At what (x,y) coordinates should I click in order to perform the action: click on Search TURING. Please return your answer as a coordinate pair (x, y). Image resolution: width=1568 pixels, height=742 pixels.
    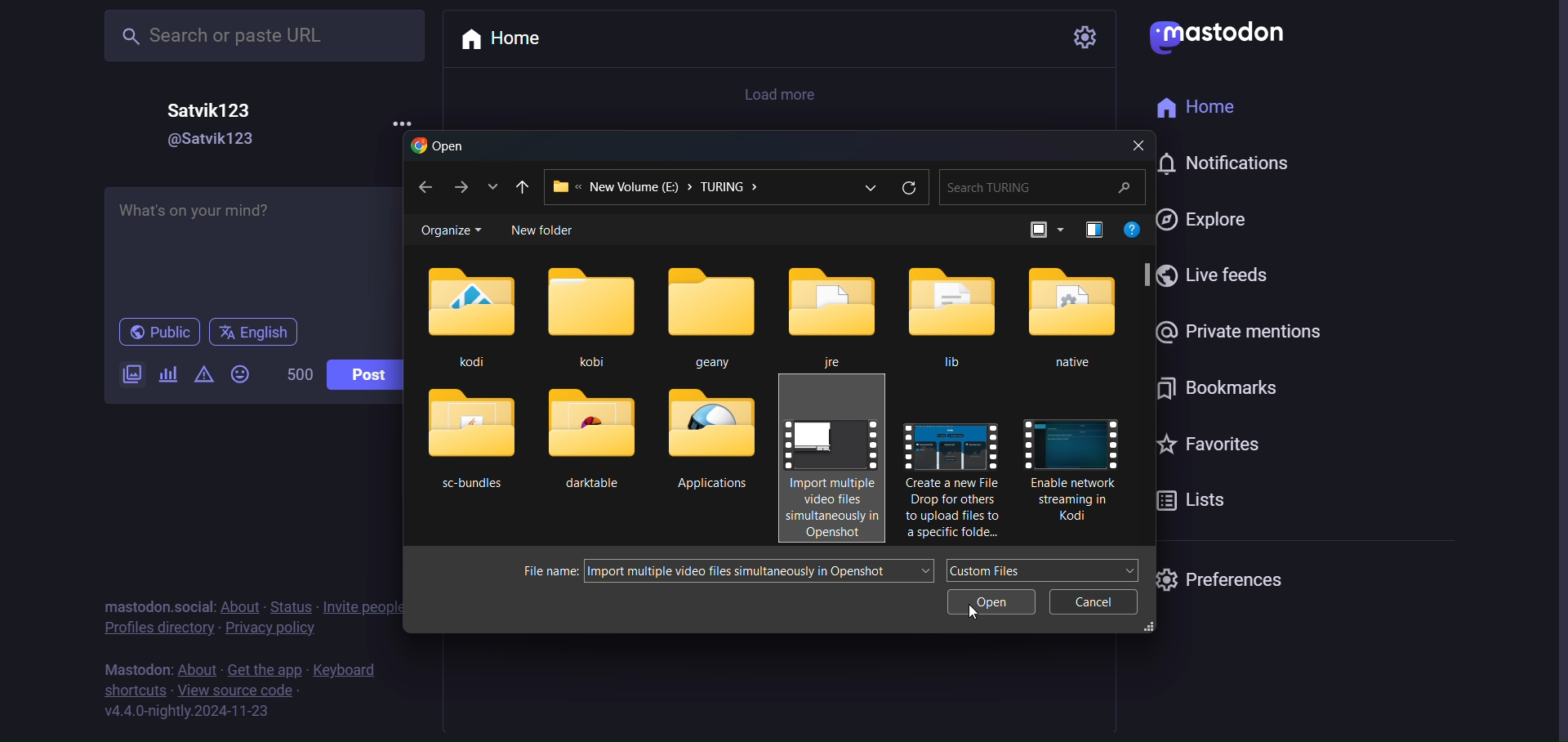
    Looking at the image, I should click on (1040, 186).